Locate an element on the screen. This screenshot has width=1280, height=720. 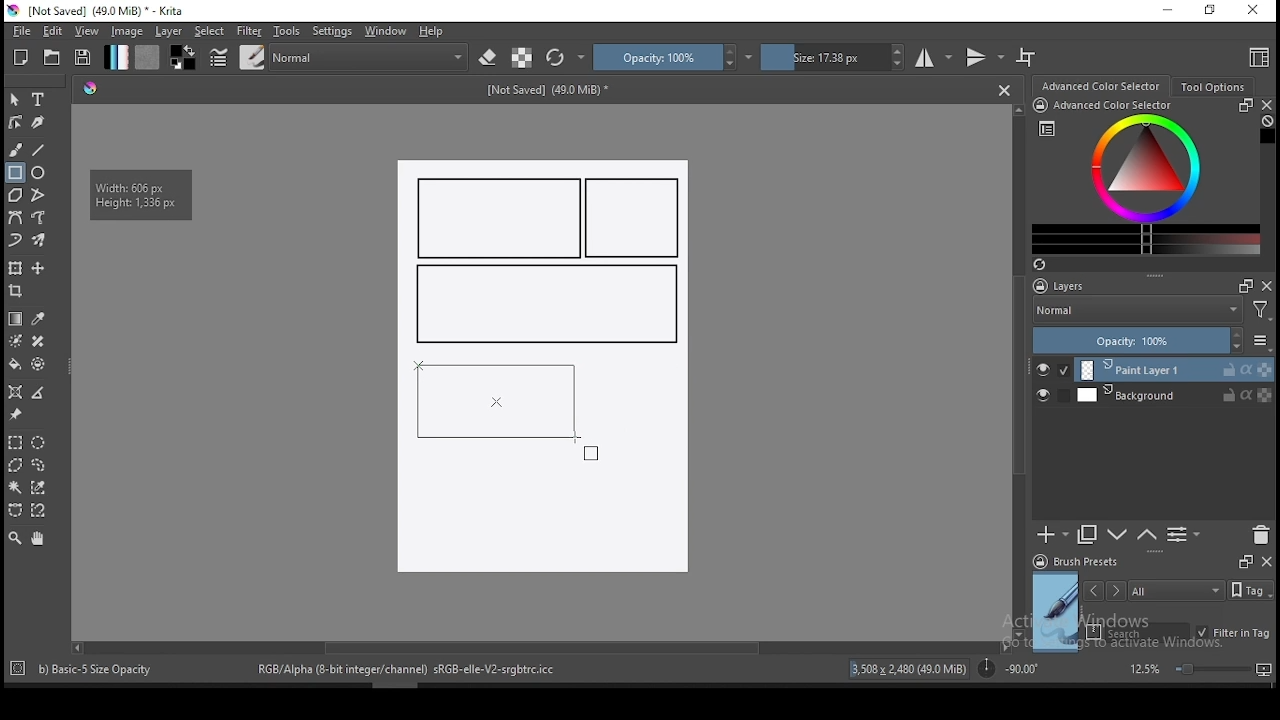
edit shapes tool is located at coordinates (15, 121).